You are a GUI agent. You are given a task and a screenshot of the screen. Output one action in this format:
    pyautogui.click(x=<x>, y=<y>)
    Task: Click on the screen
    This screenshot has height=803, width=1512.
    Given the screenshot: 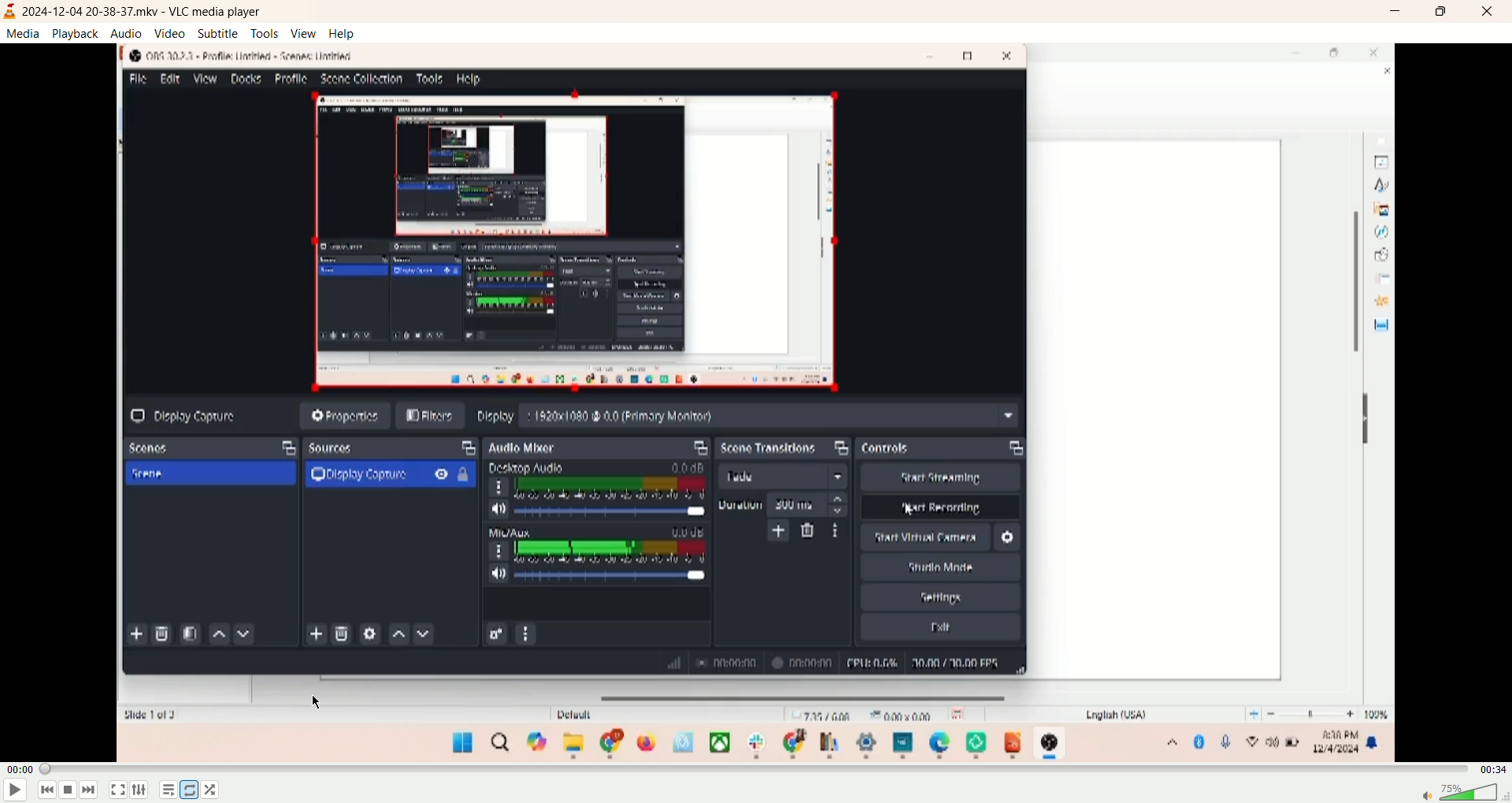 What is the action you would take?
    pyautogui.click(x=757, y=403)
    